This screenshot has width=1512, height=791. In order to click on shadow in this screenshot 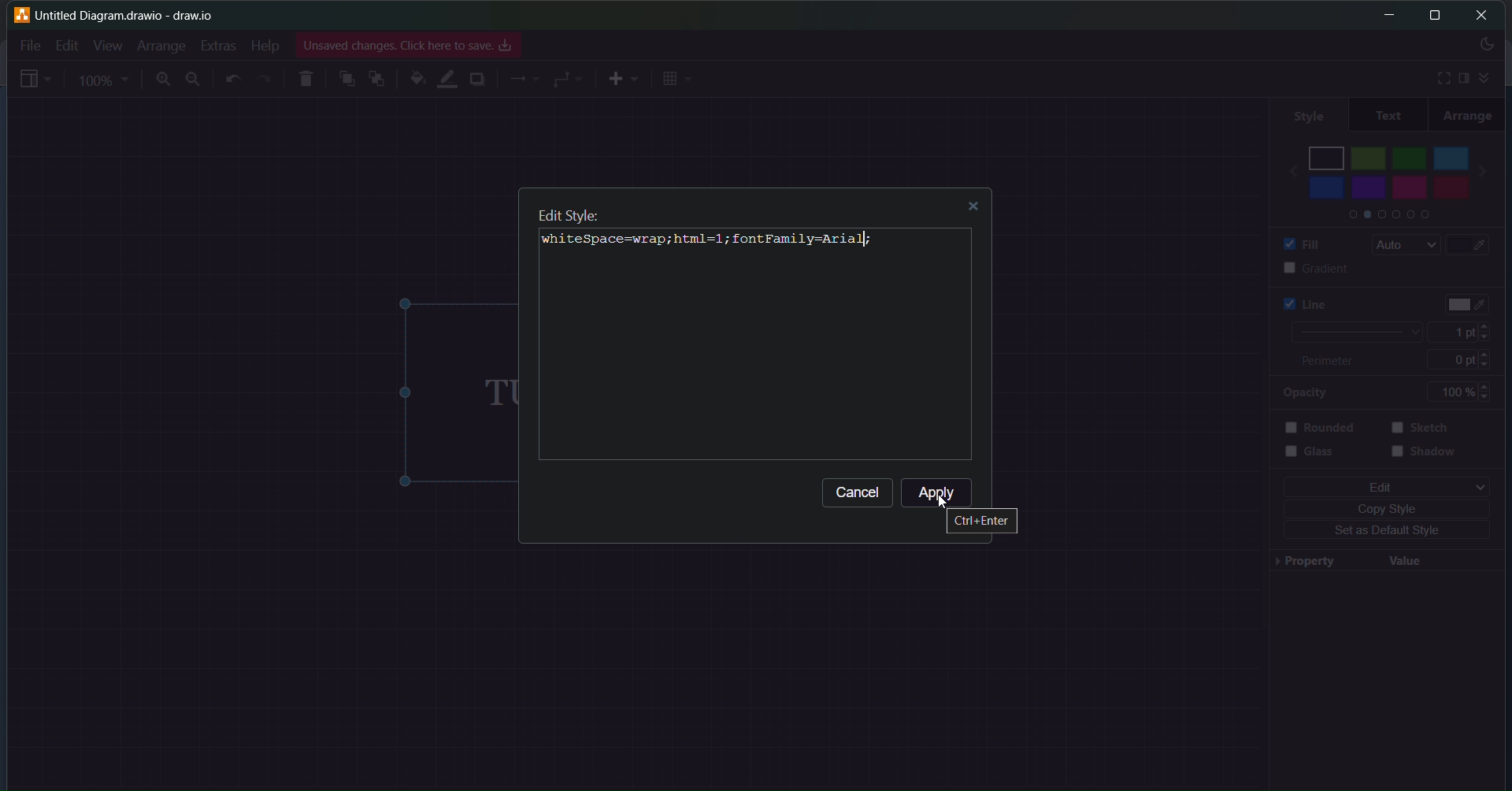, I will do `click(1427, 458)`.